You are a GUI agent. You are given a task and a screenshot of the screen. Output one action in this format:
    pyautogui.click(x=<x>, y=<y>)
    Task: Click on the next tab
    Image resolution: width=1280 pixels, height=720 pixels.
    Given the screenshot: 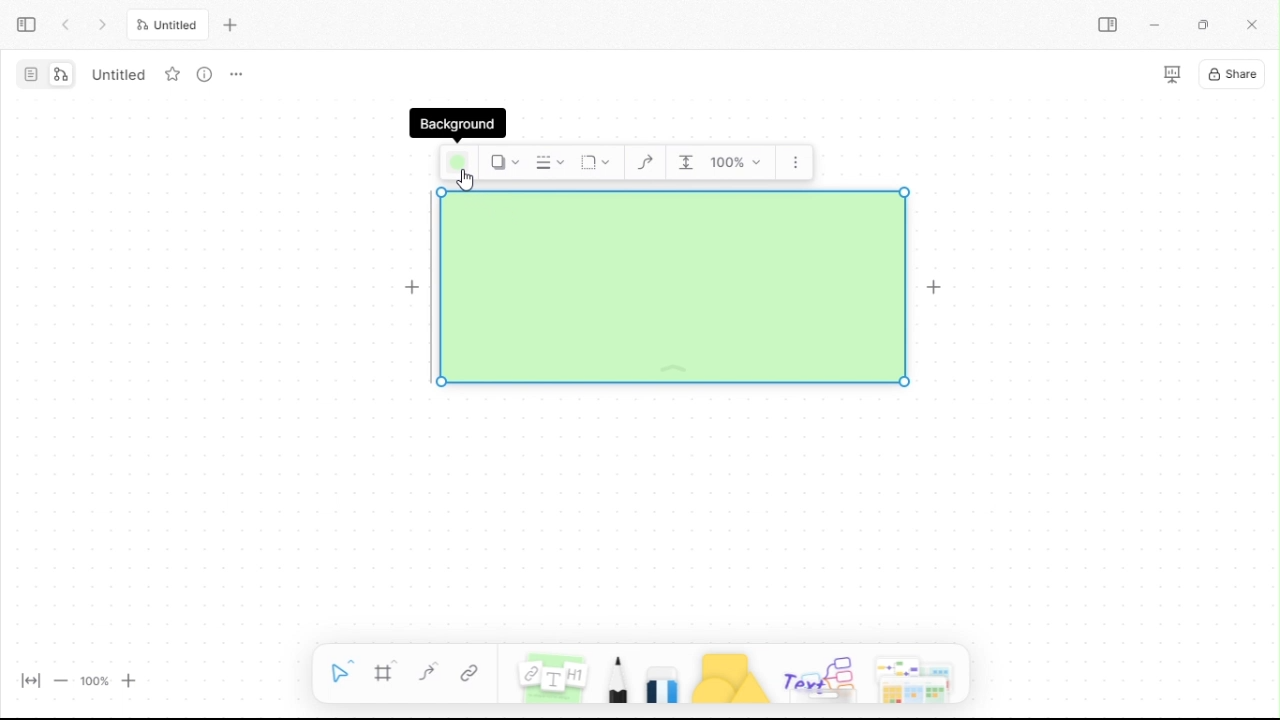 What is the action you would take?
    pyautogui.click(x=104, y=26)
    